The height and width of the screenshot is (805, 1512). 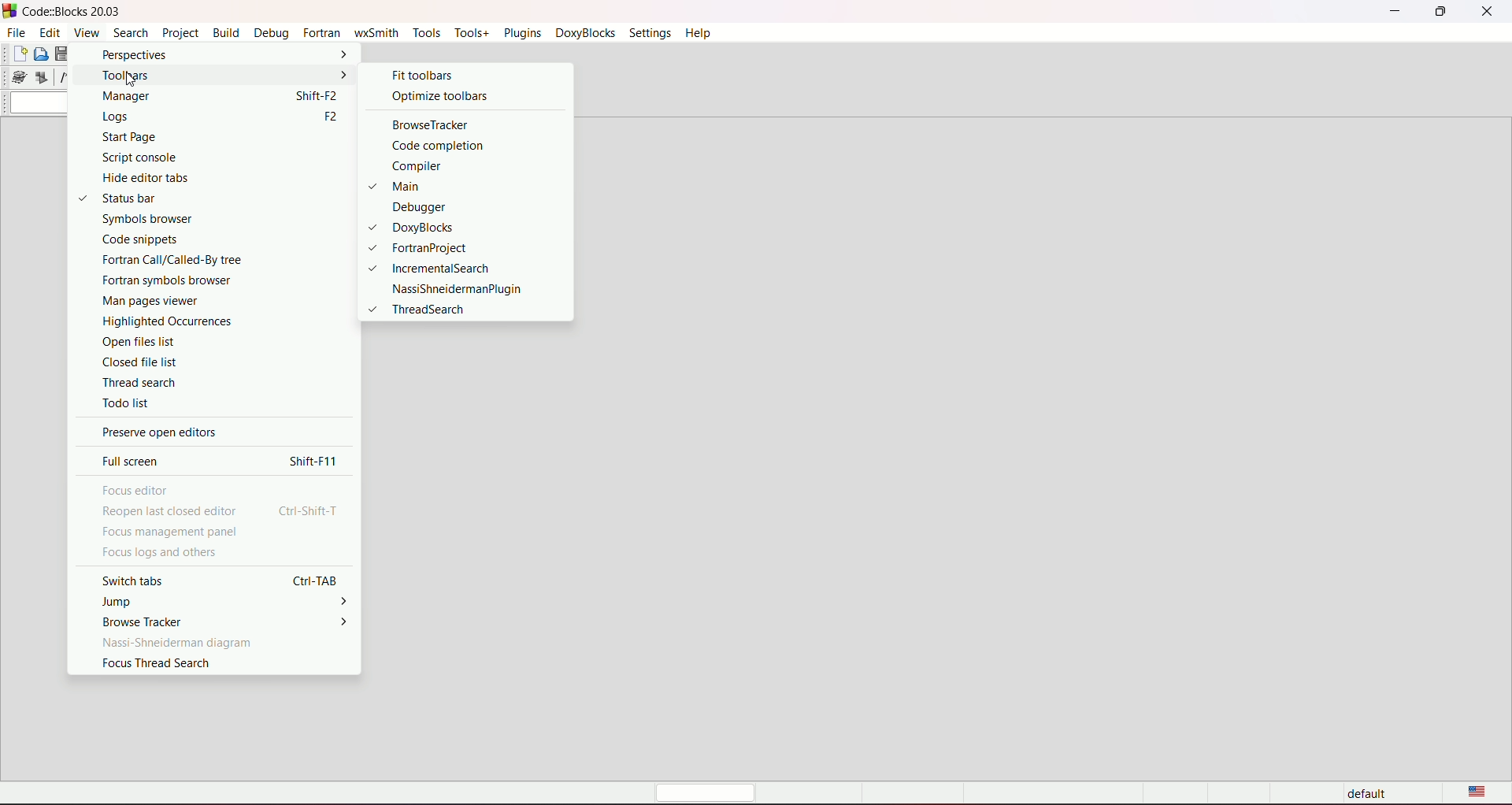 What do you see at coordinates (1370, 795) in the screenshot?
I see `default` at bounding box center [1370, 795].